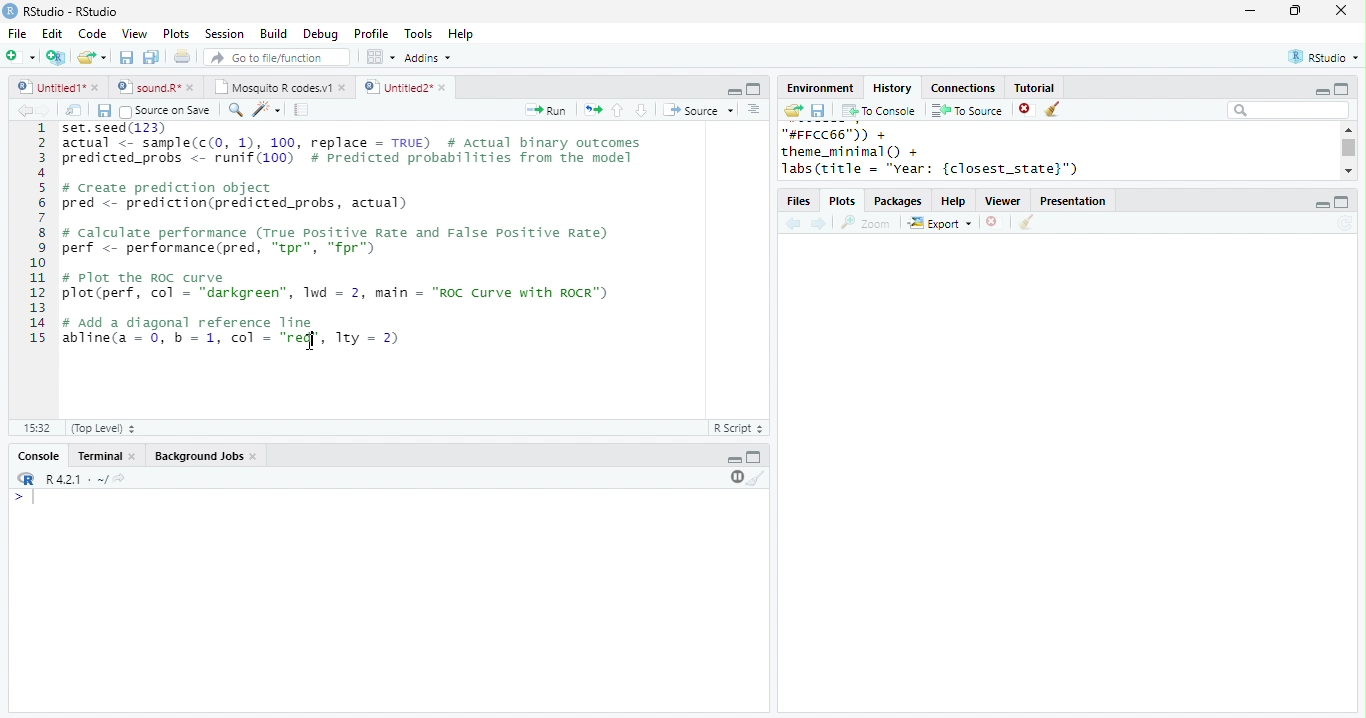 The image size is (1366, 718). I want to click on search bar, so click(1288, 109).